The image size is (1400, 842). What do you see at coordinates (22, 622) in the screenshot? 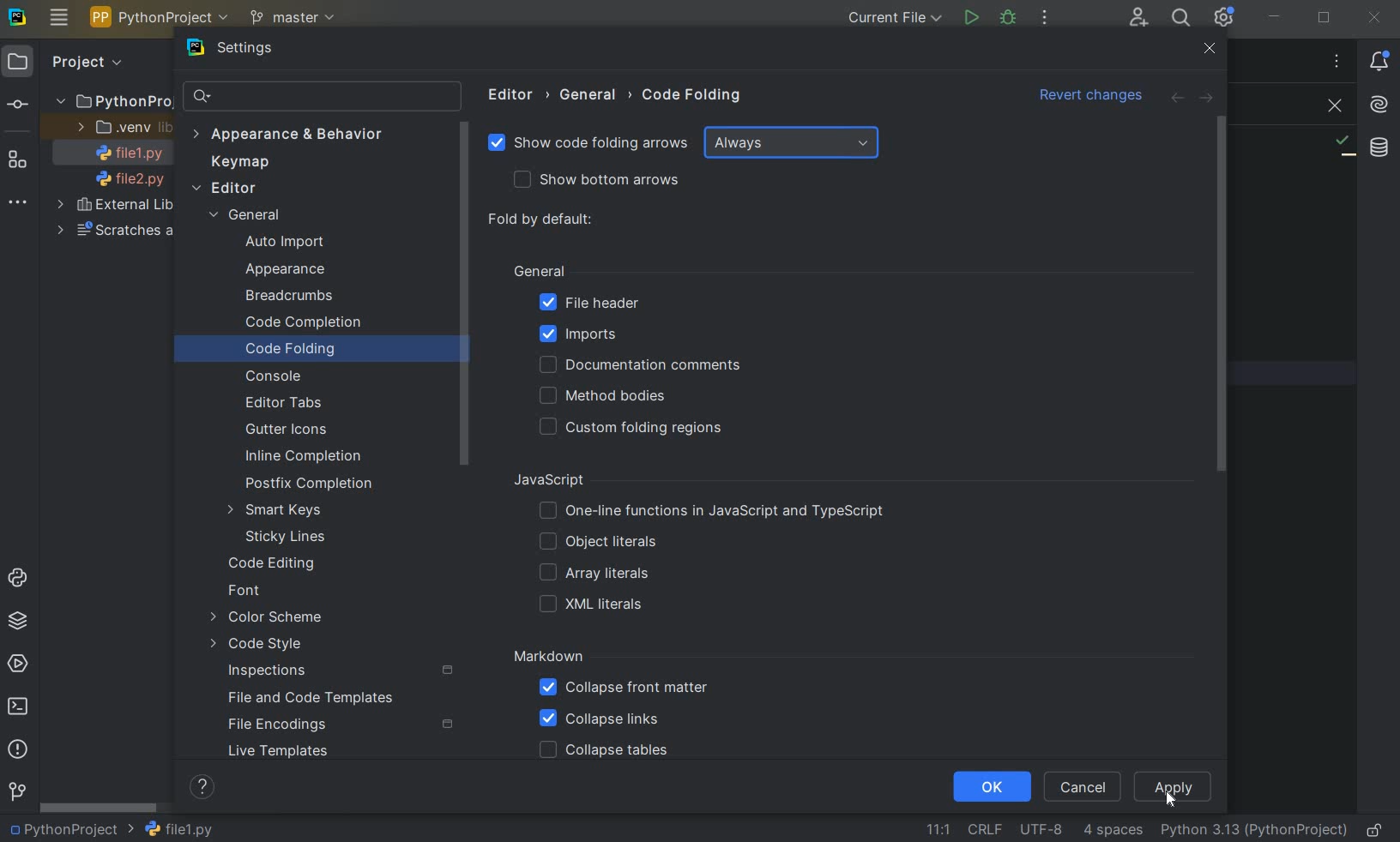
I see `PYTHON PACKAGES` at bounding box center [22, 622].